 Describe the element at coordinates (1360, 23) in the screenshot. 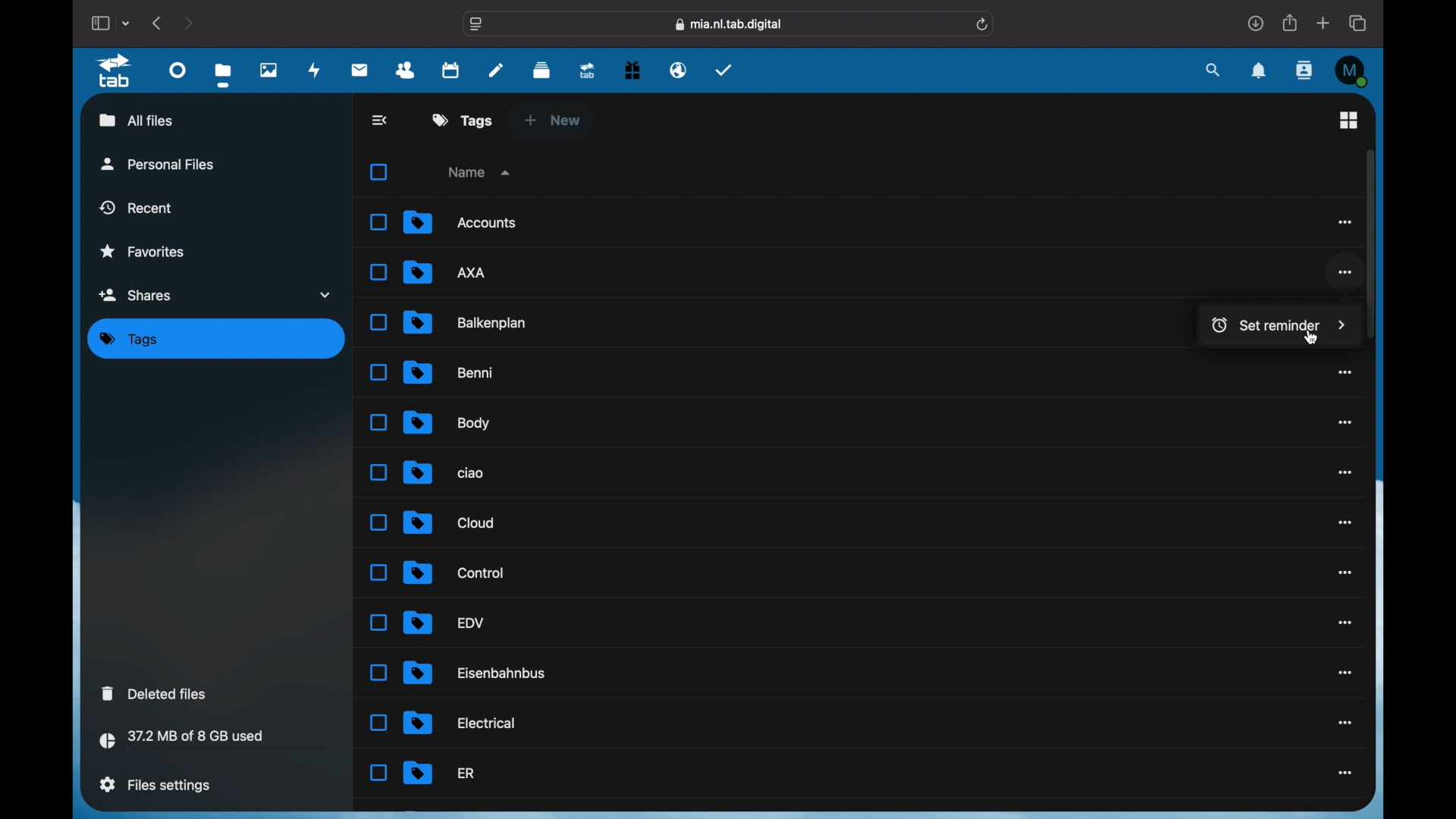

I see `show tab overview` at that location.